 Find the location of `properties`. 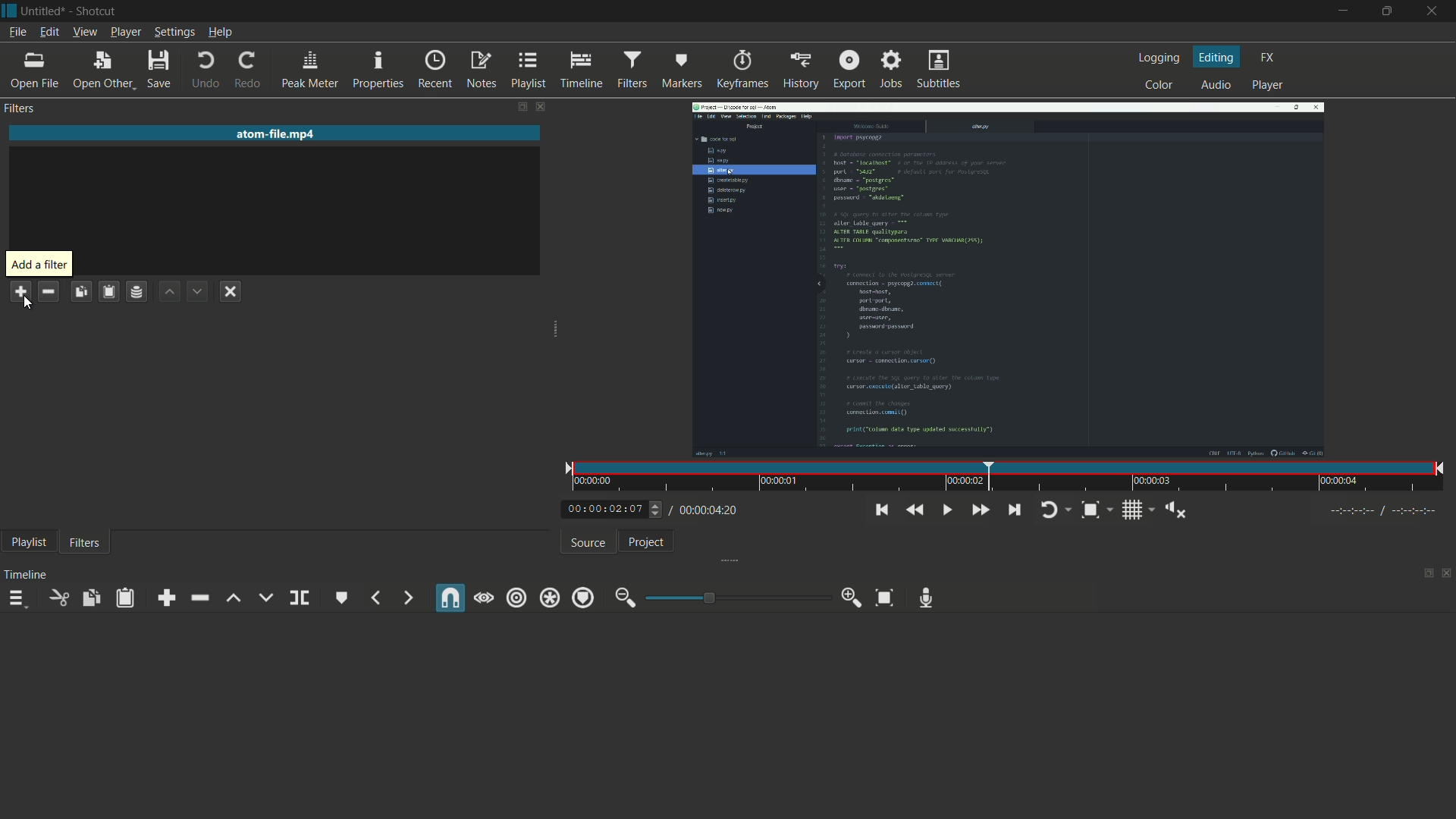

properties is located at coordinates (377, 71).